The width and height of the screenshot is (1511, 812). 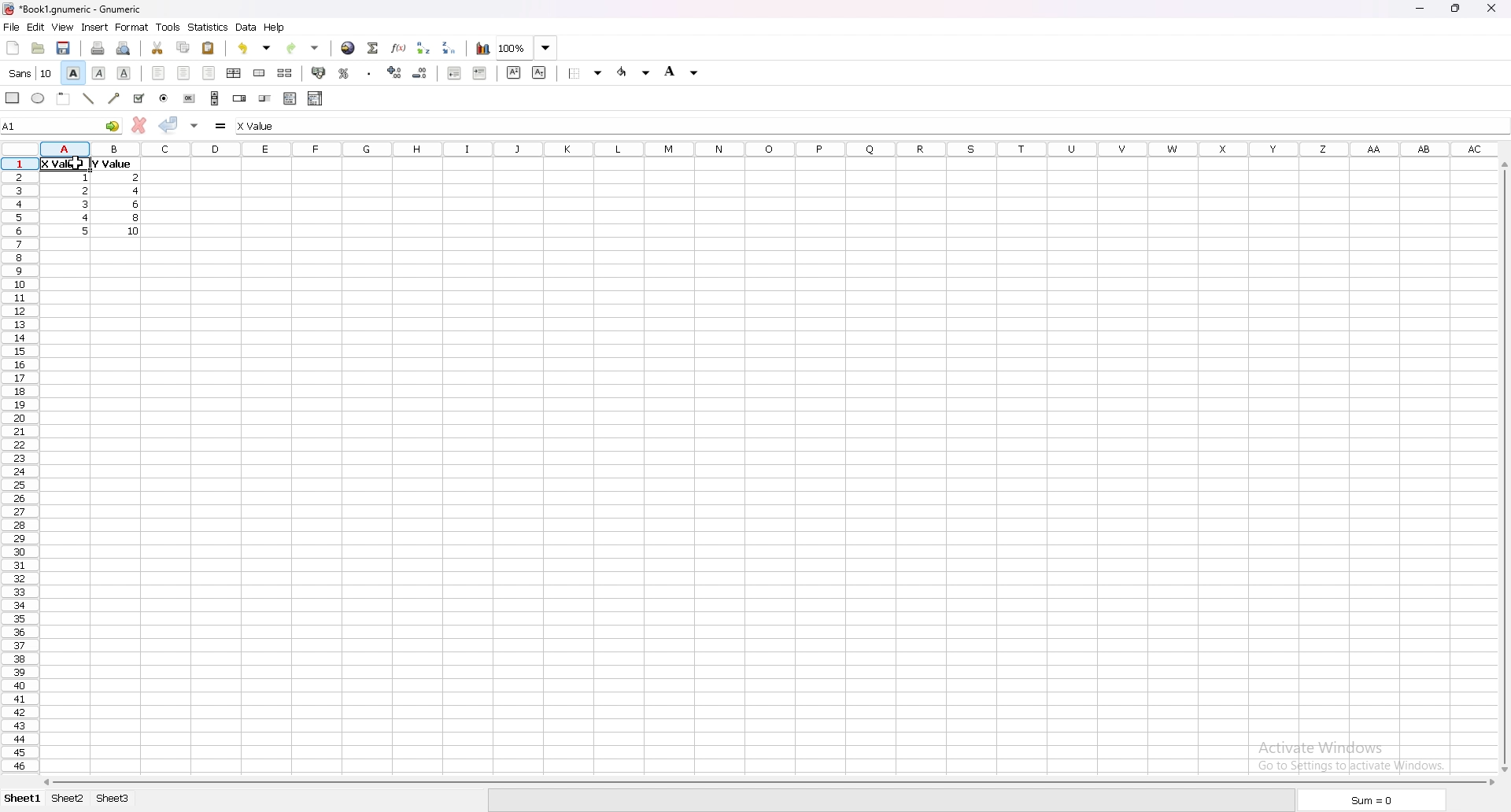 I want to click on file name, so click(x=72, y=9).